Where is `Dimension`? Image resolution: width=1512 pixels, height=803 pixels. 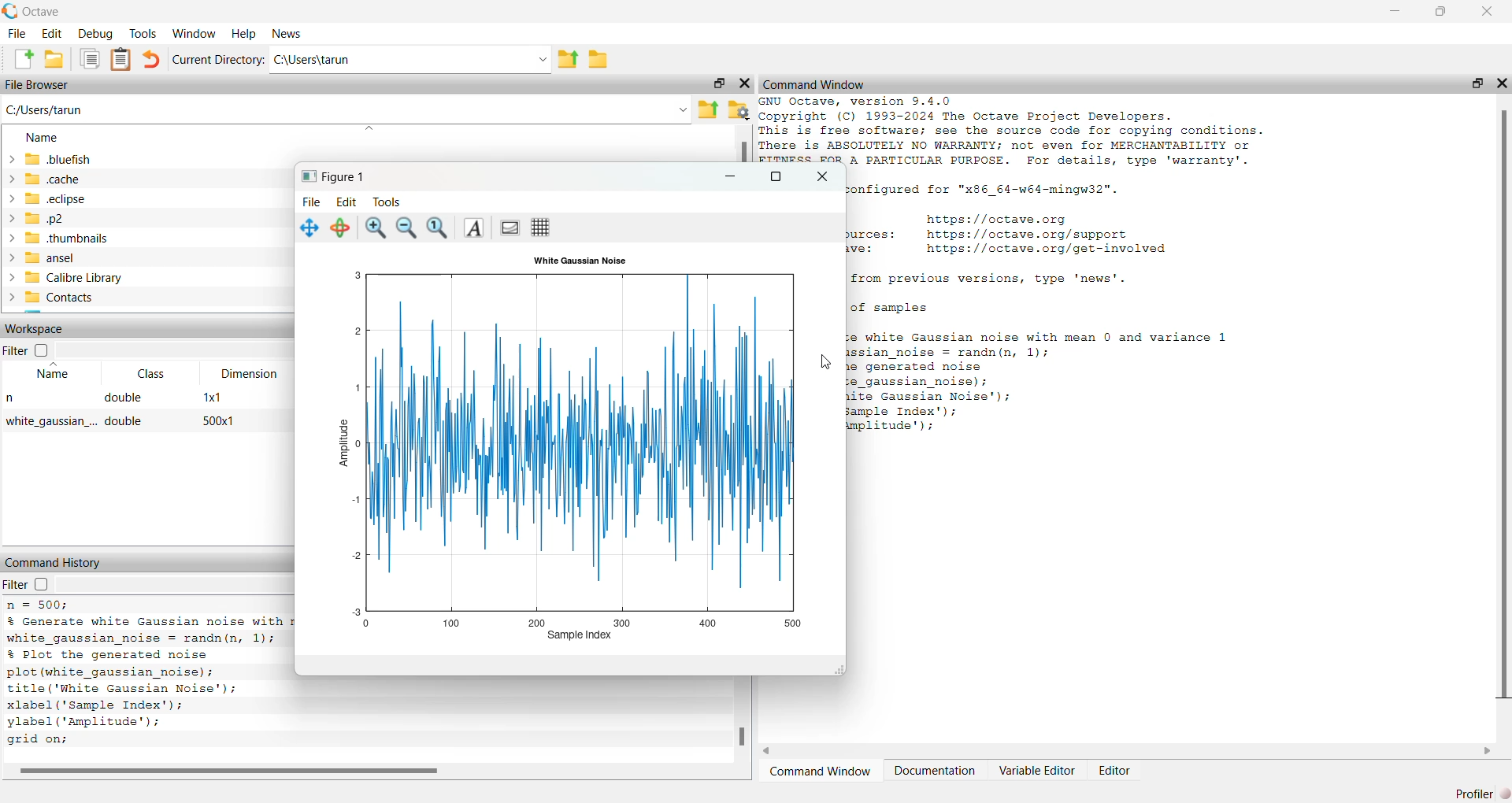 Dimension is located at coordinates (253, 374).